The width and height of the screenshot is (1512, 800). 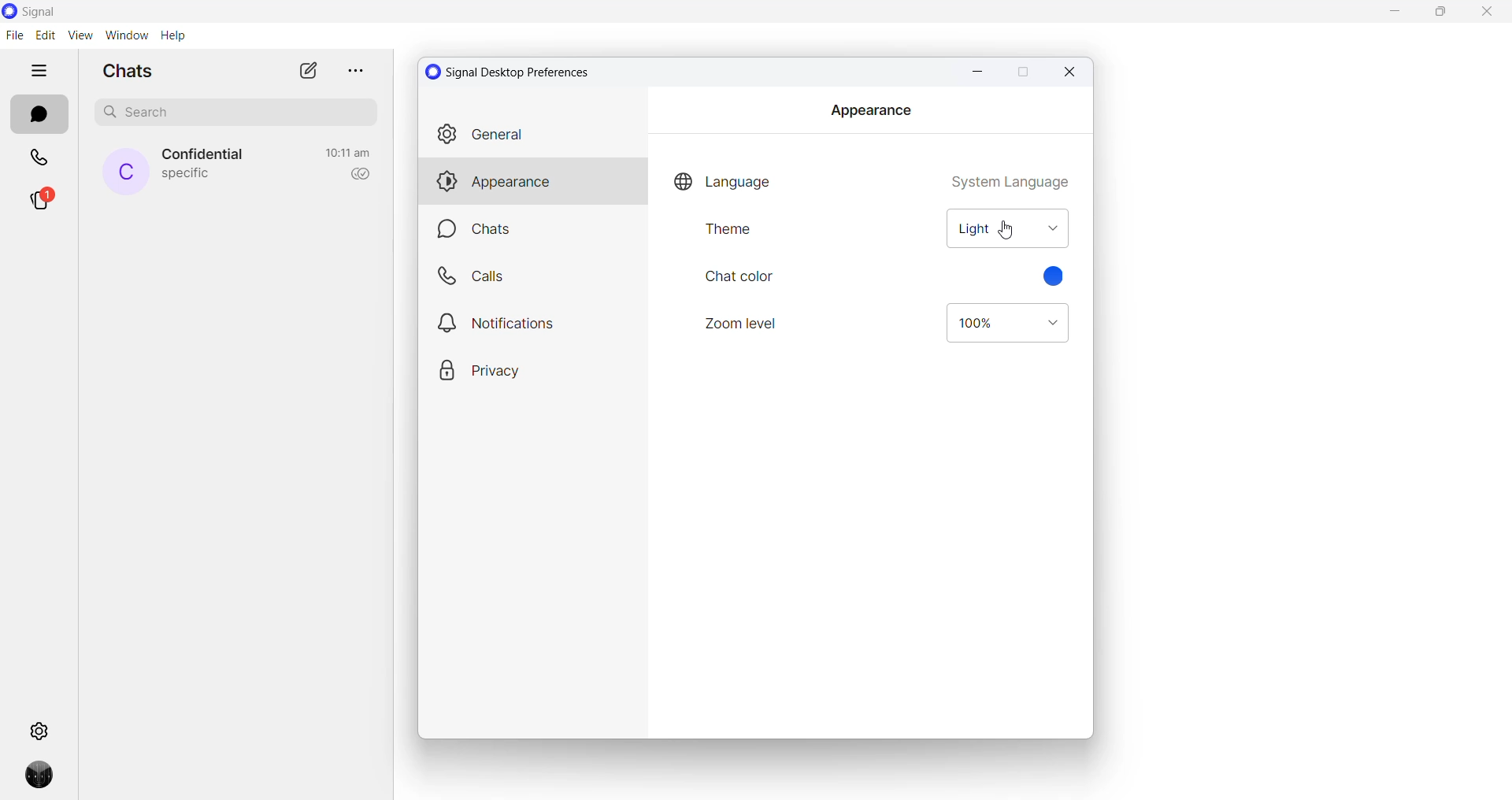 What do you see at coordinates (1071, 72) in the screenshot?
I see `close` at bounding box center [1071, 72].